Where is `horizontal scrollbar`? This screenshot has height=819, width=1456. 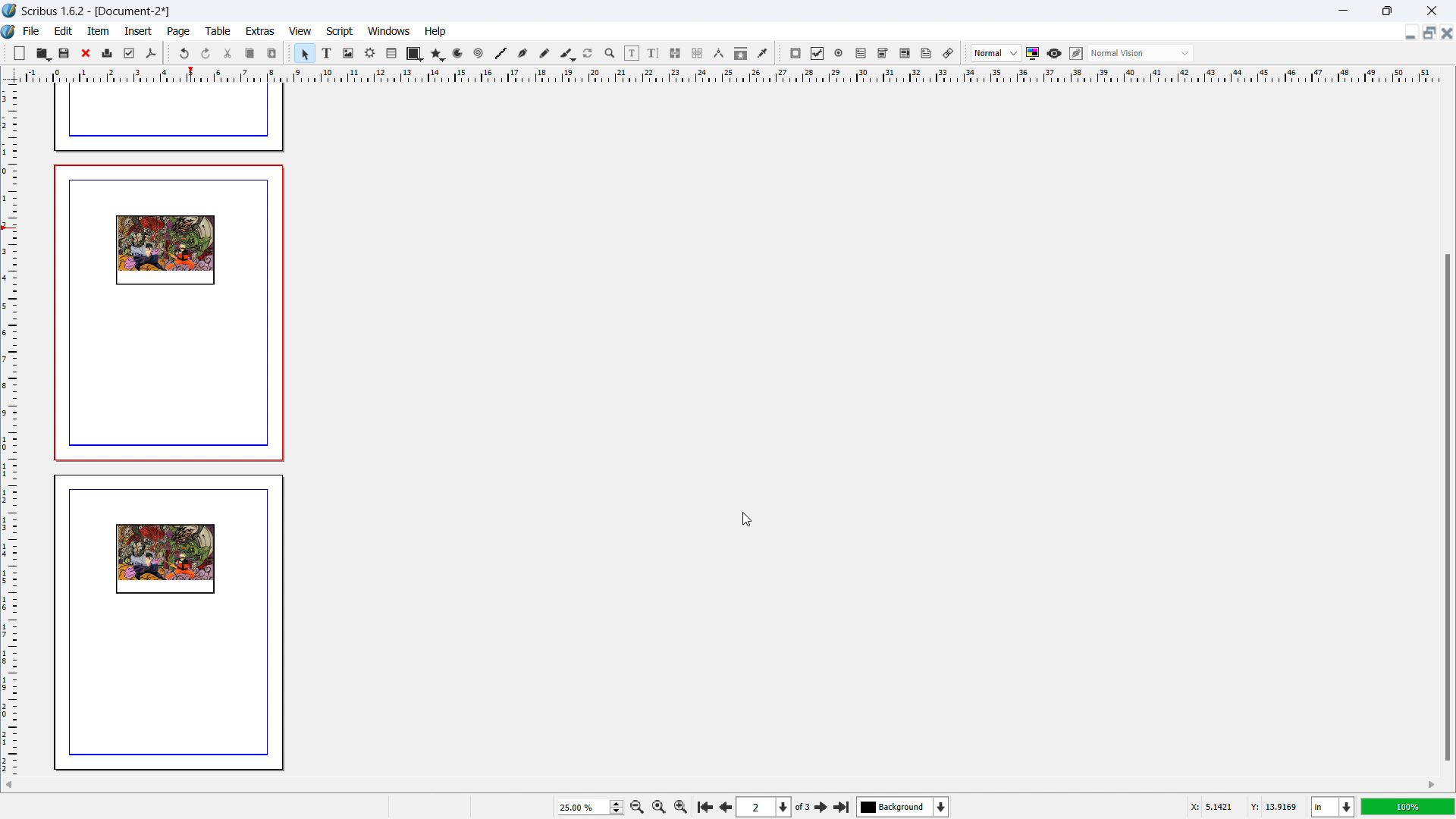
horizontal scrollbar is located at coordinates (579, 784).